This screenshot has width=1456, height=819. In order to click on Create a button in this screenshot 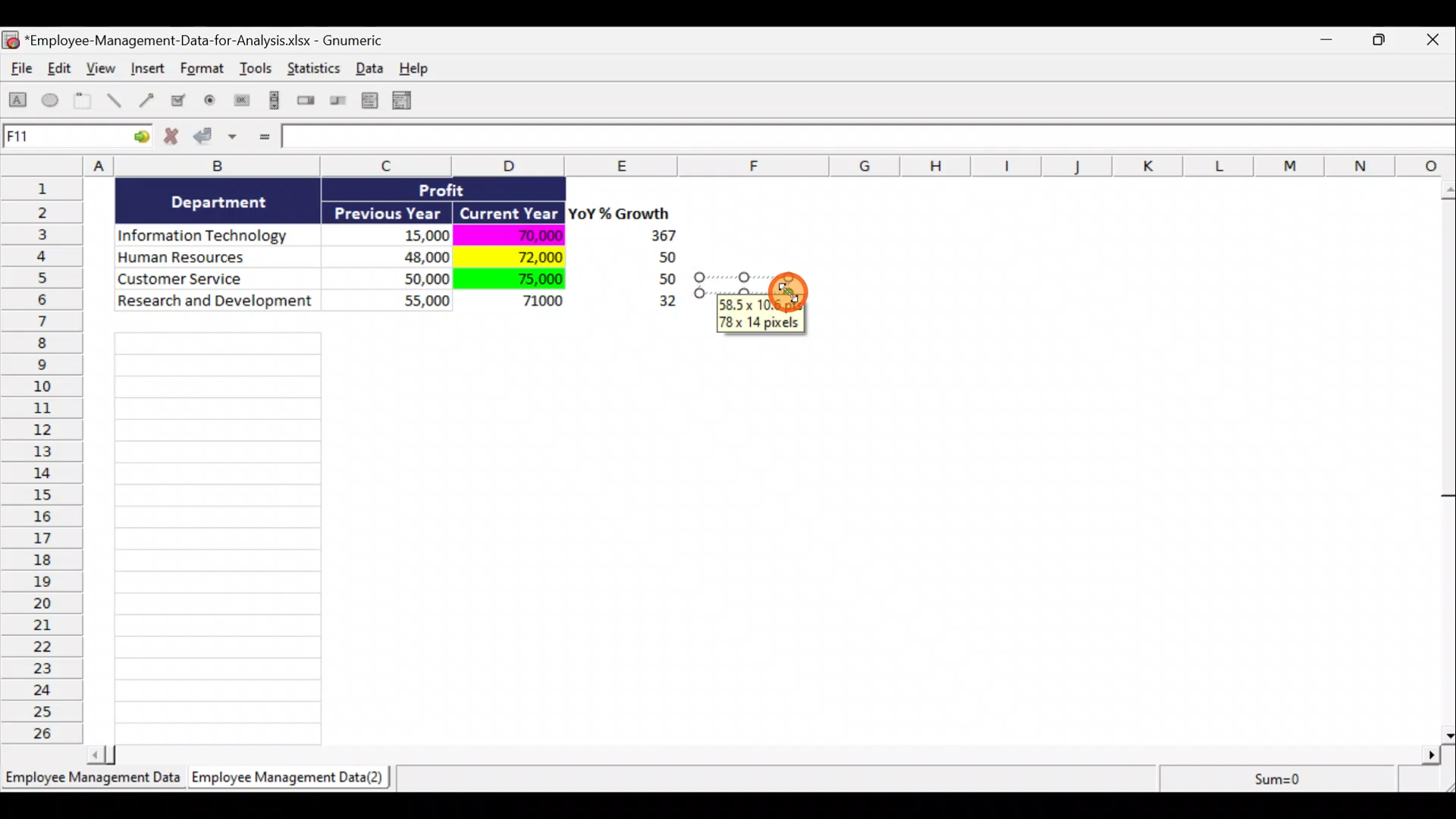, I will do `click(240, 104)`.